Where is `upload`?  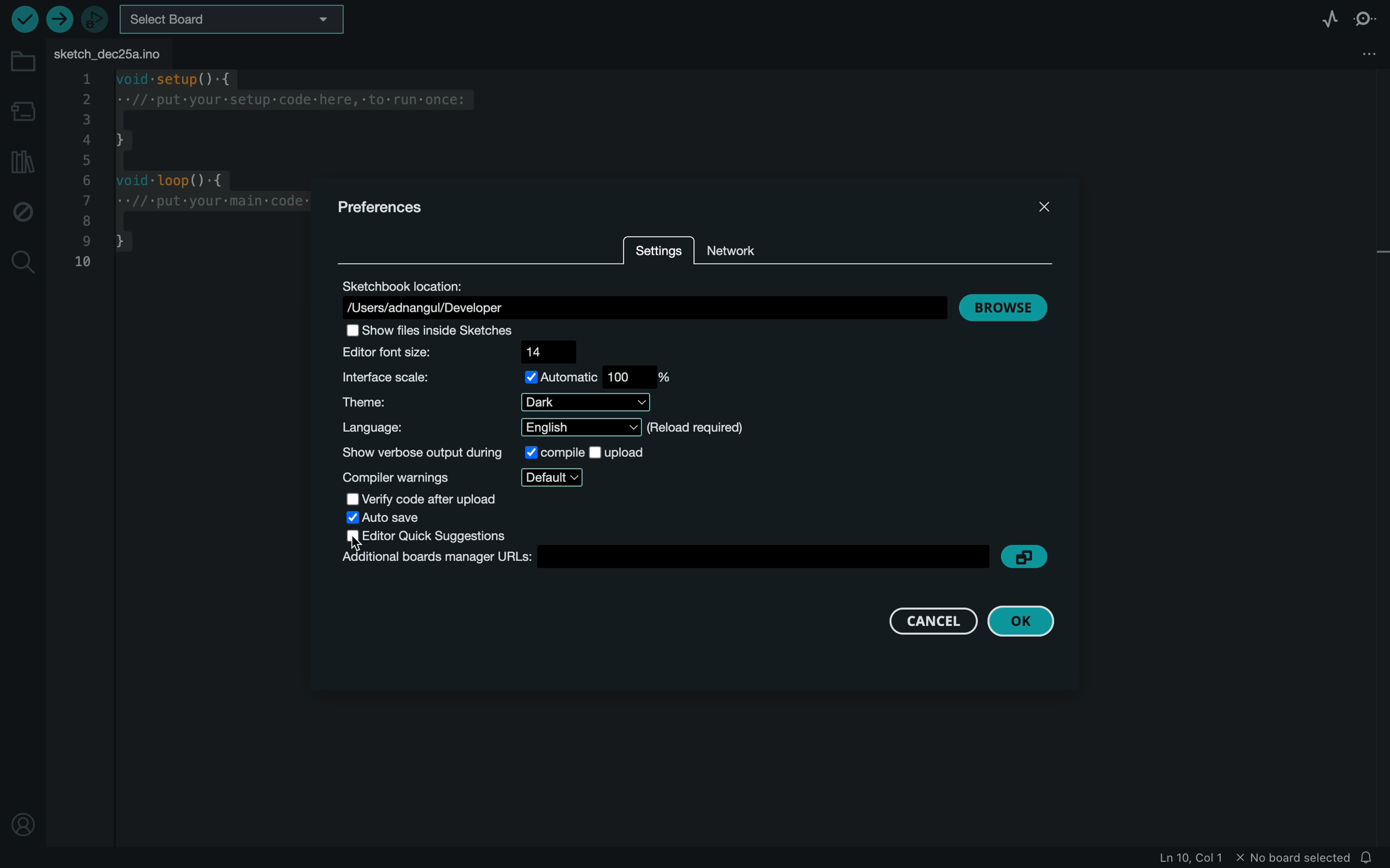 upload is located at coordinates (59, 20).